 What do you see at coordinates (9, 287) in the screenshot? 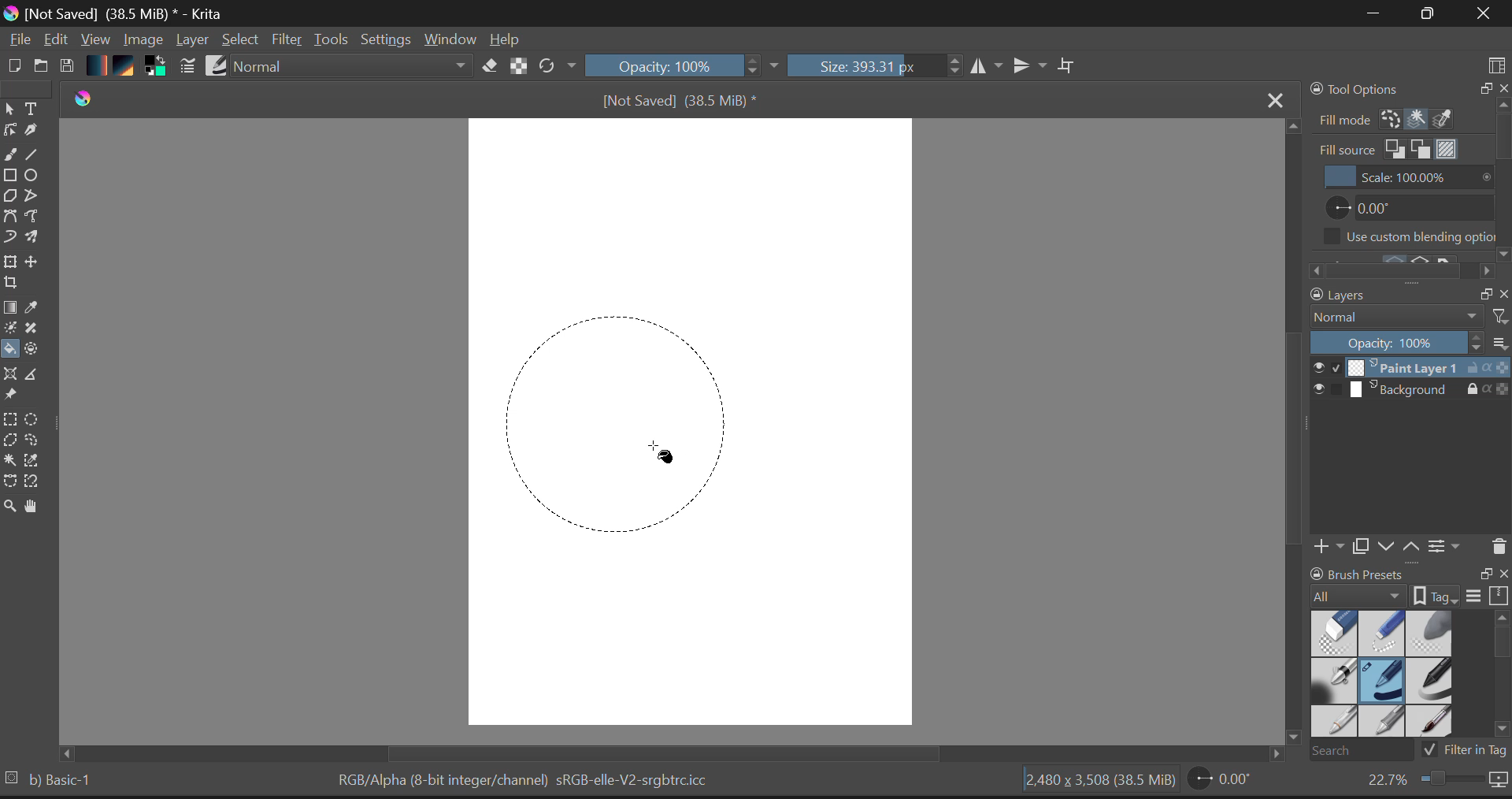
I see `Crop` at bounding box center [9, 287].